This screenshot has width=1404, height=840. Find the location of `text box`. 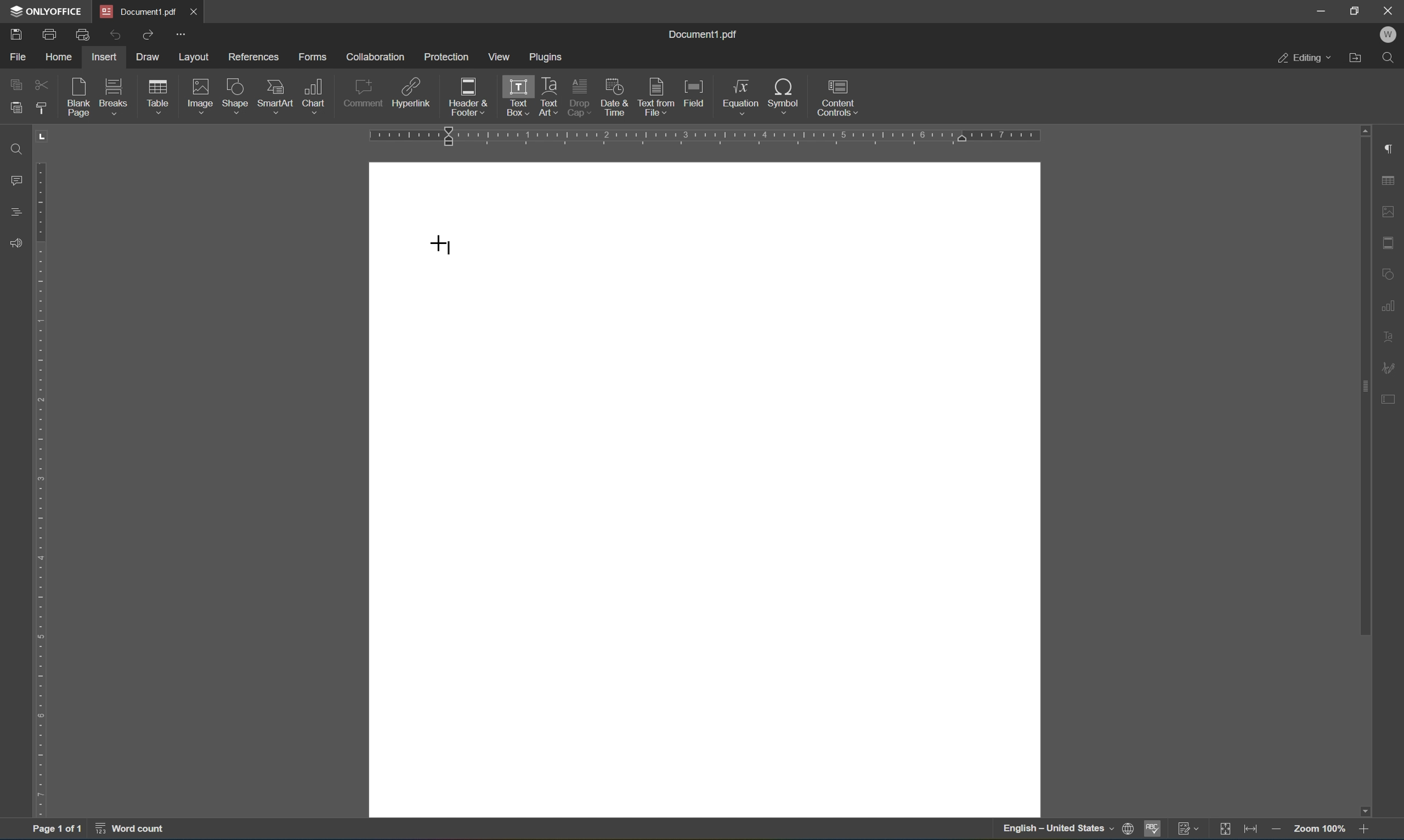

text box is located at coordinates (515, 97).